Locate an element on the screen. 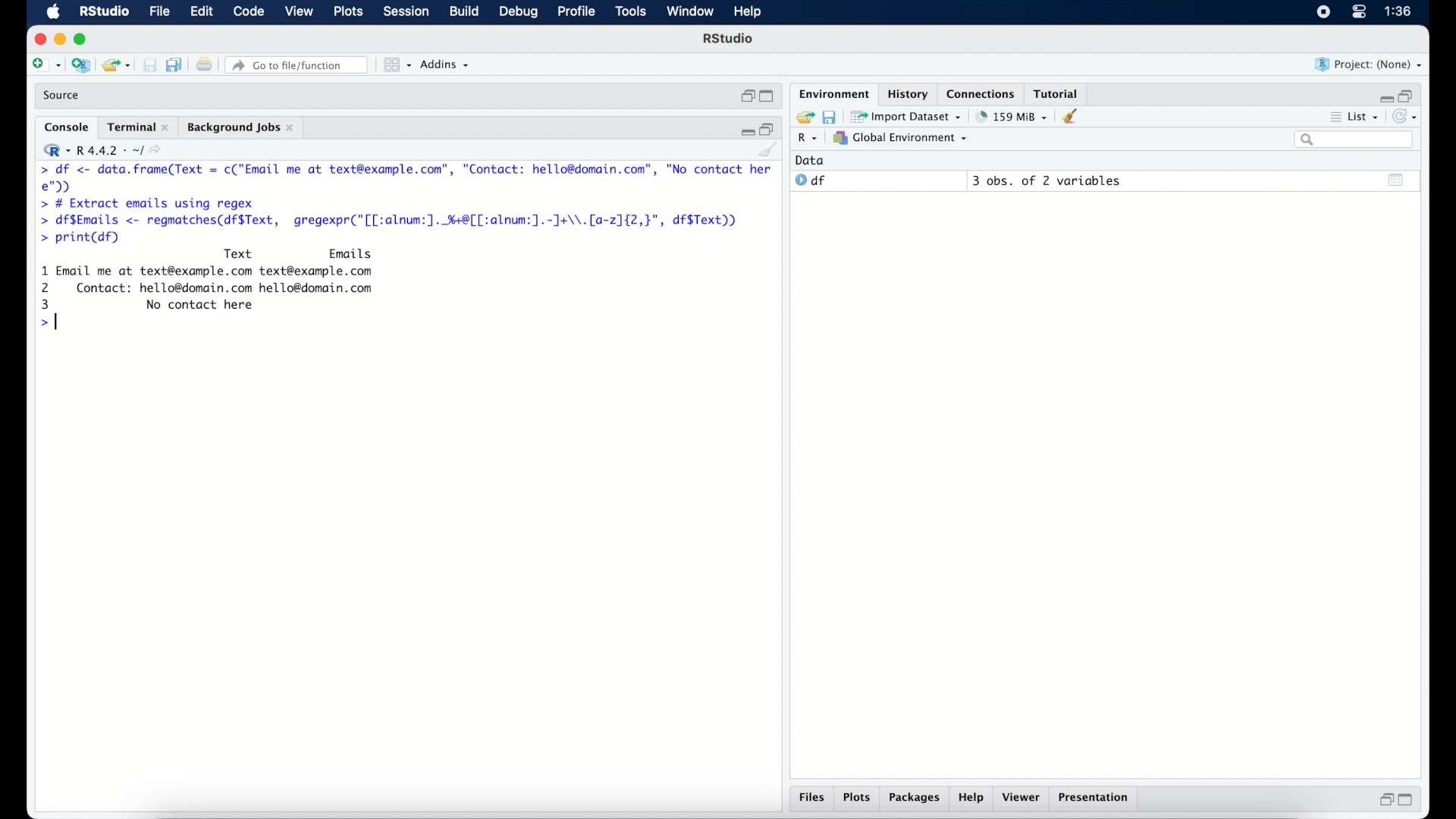  restore down is located at coordinates (1385, 802).